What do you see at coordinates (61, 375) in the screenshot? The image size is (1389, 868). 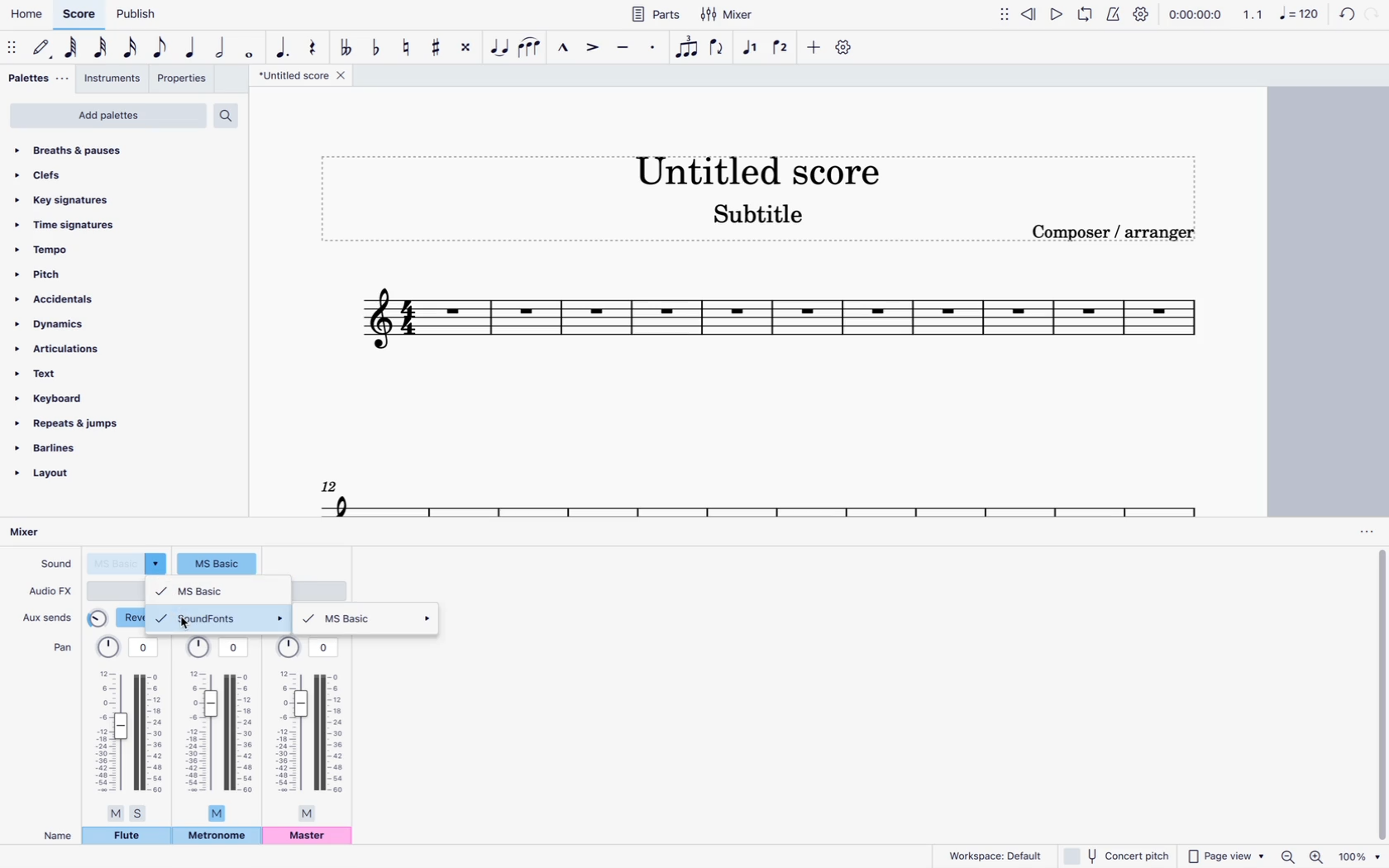 I see `text` at bounding box center [61, 375].